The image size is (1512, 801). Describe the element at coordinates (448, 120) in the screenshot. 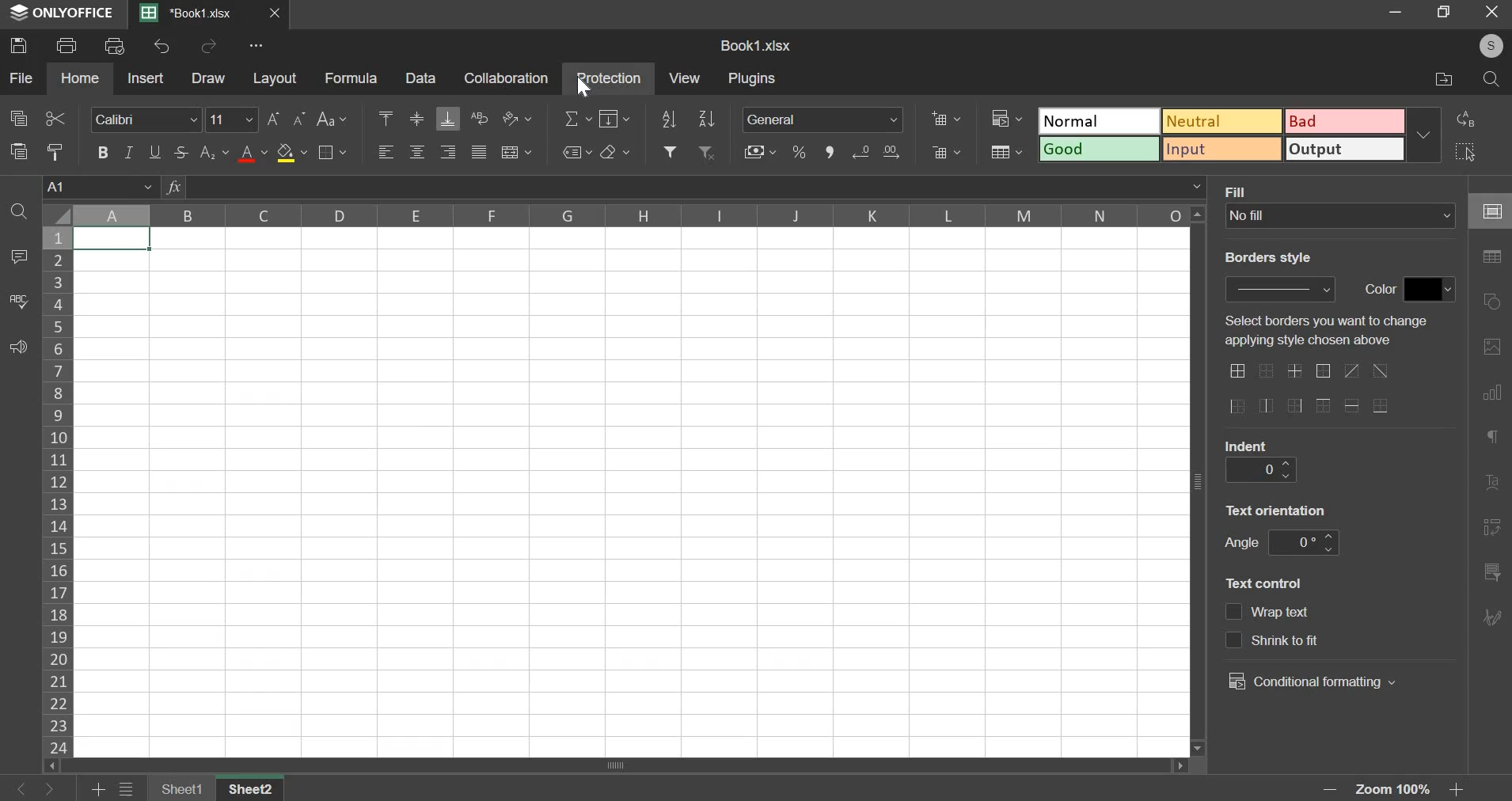

I see `vertical alignment` at that location.